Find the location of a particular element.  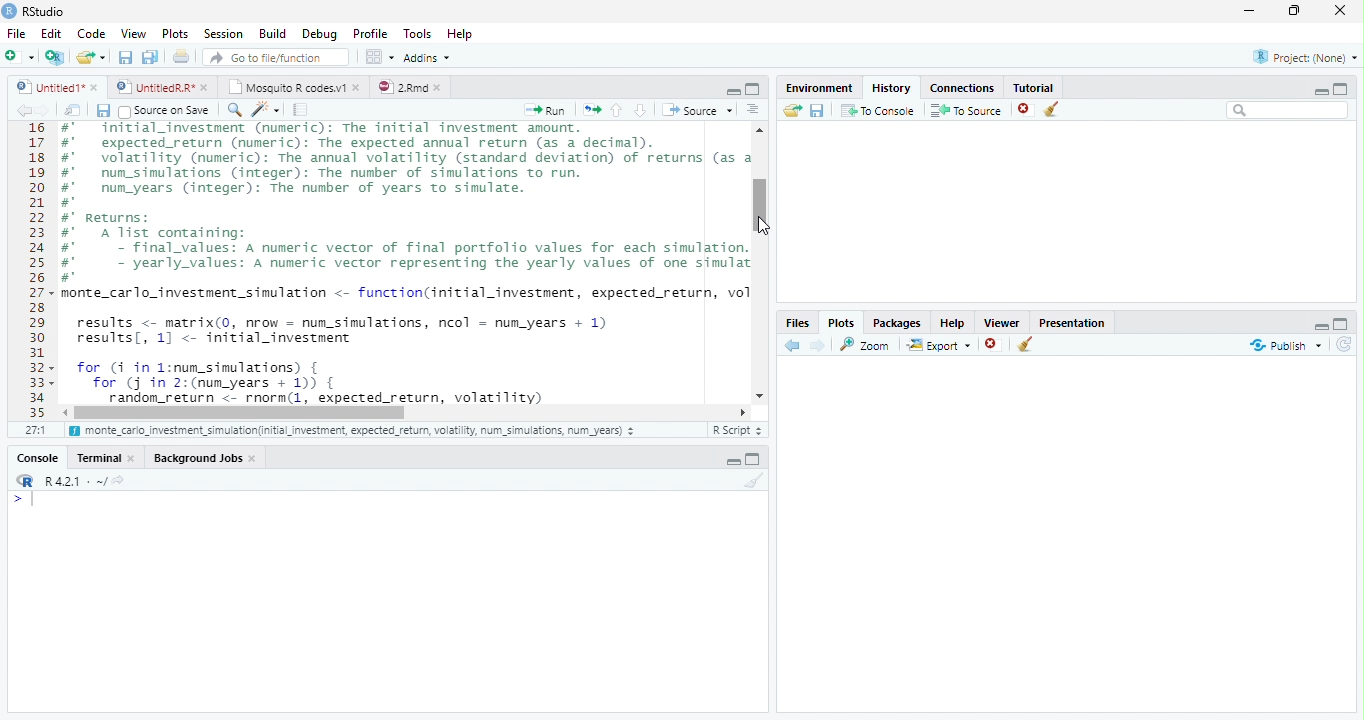

styedi® © © Untite is located at coordinates (162, 87).